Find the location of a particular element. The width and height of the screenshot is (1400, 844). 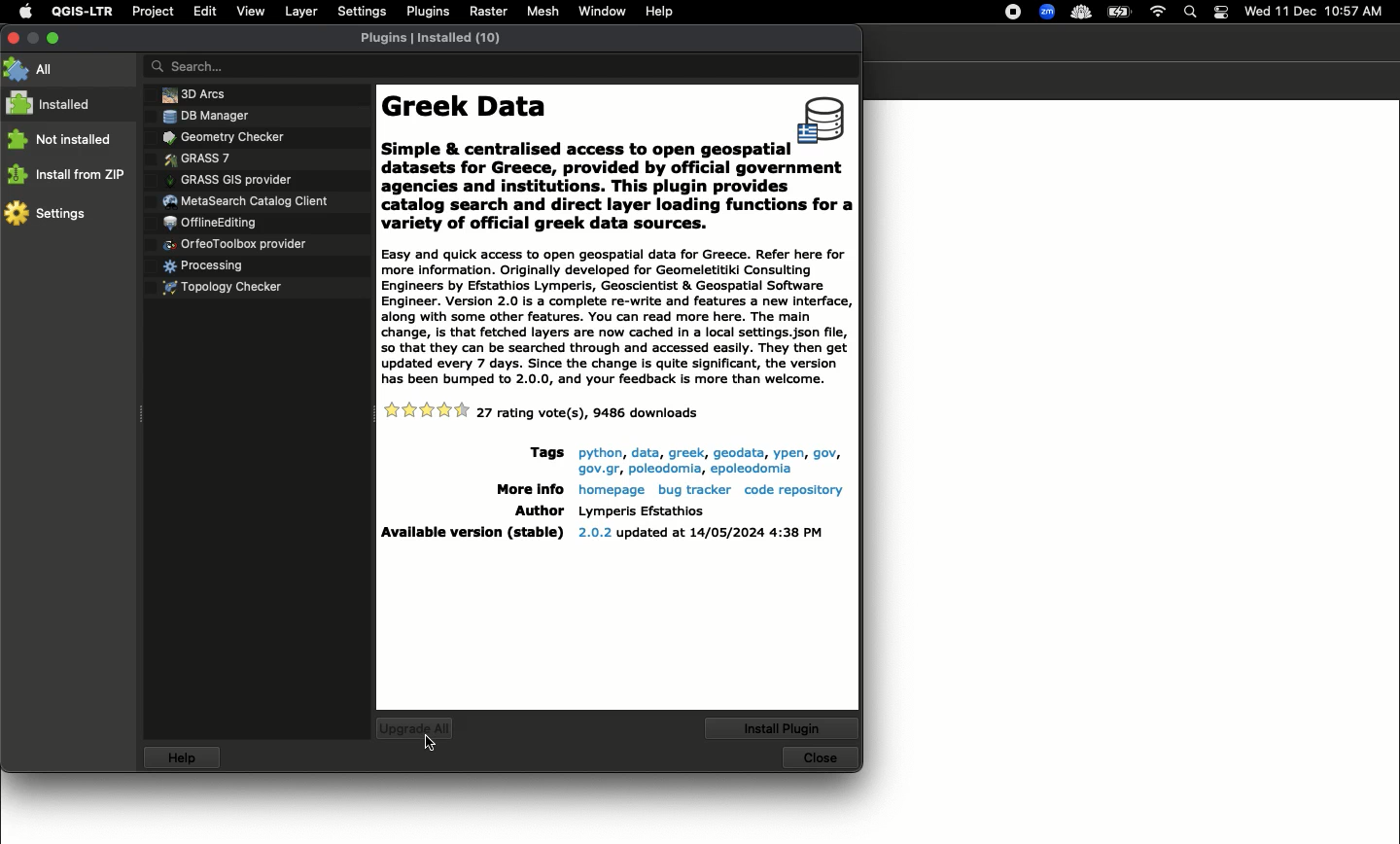

Installed is located at coordinates (56, 103).